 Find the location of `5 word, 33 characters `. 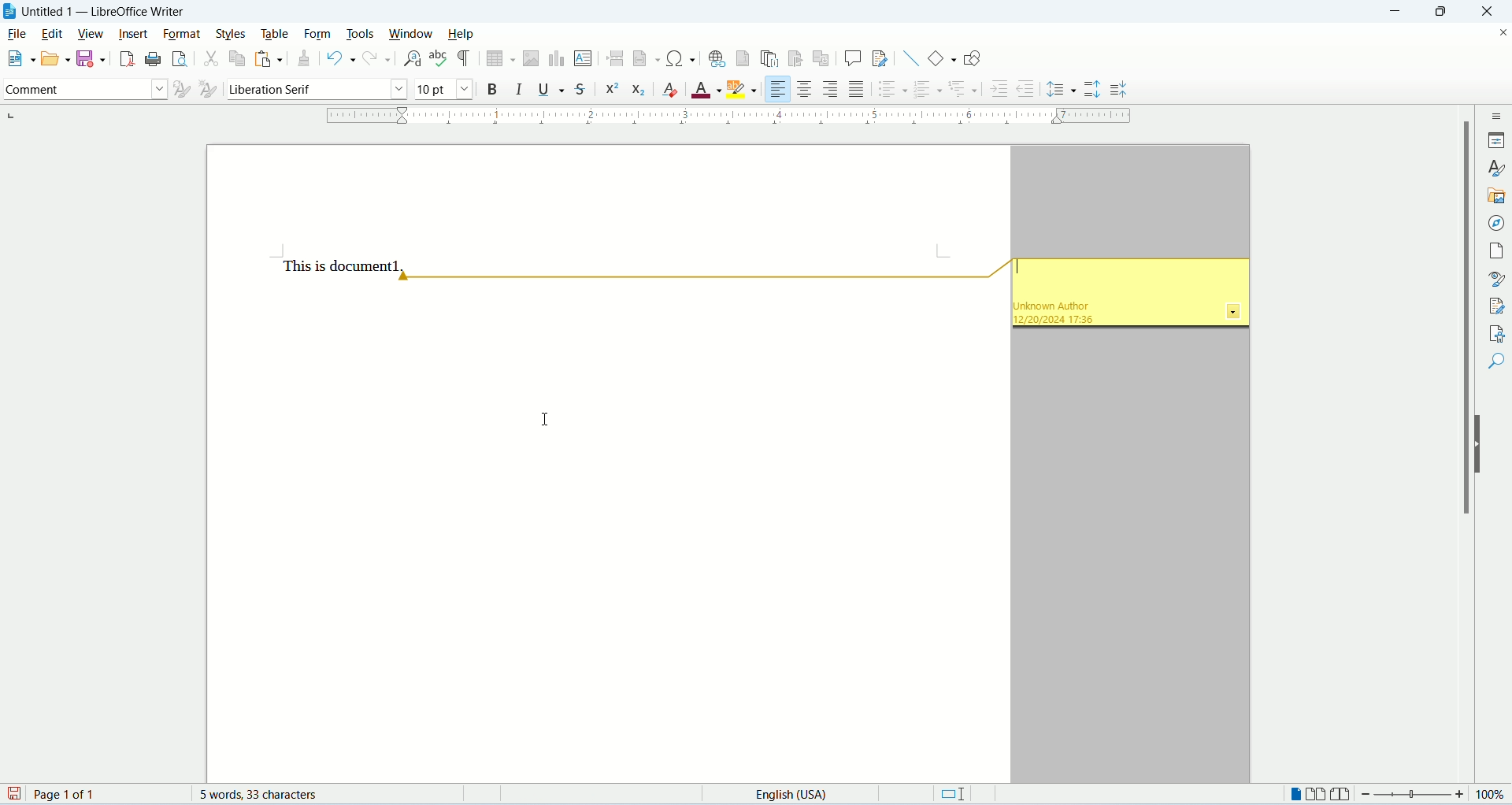

5 word, 33 characters  is located at coordinates (267, 795).